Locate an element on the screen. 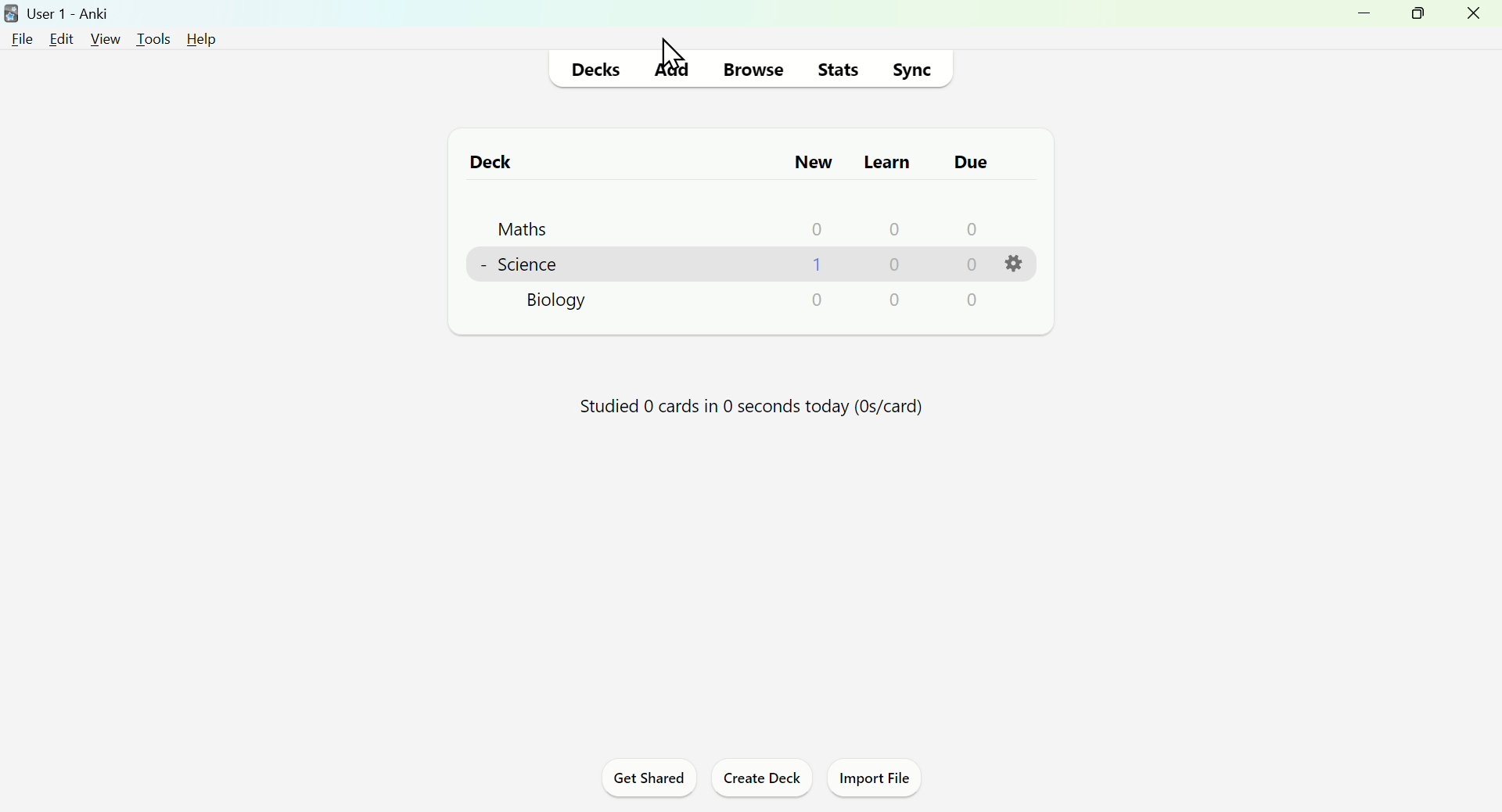 This screenshot has width=1502, height=812. - Science is located at coordinates (517, 266).